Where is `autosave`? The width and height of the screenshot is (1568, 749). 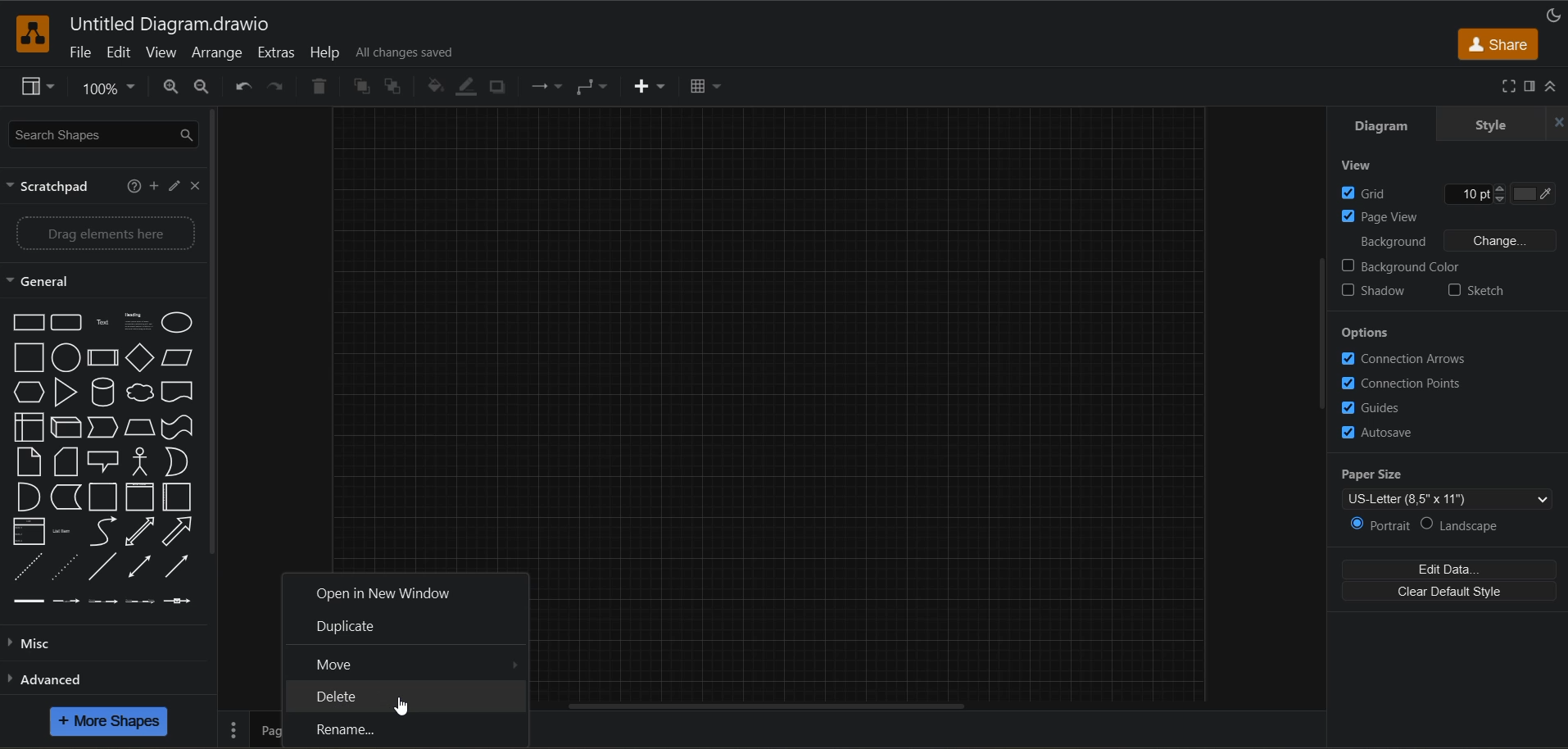 autosave is located at coordinates (1387, 433).